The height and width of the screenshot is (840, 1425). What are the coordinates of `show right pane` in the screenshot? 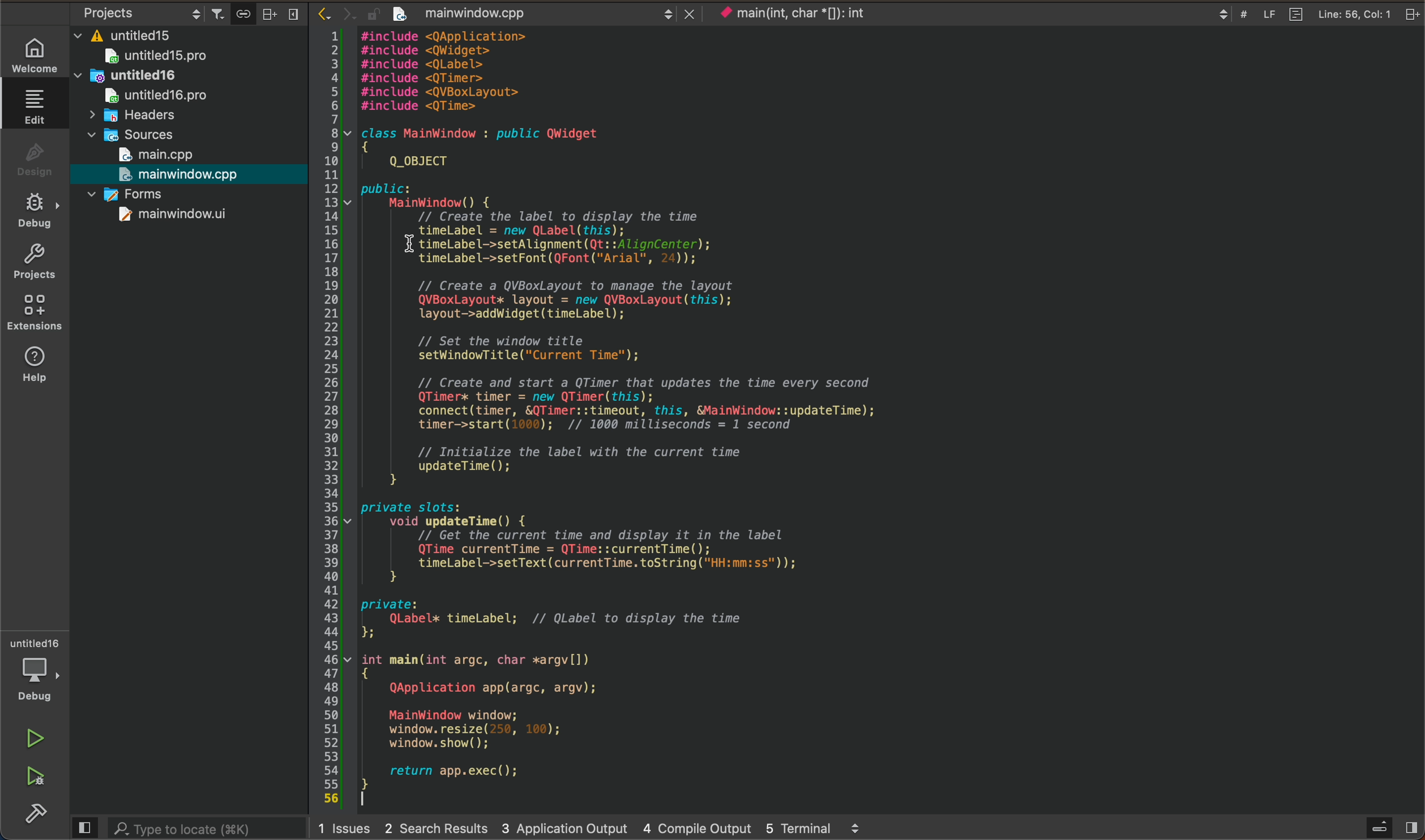 It's located at (1414, 829).